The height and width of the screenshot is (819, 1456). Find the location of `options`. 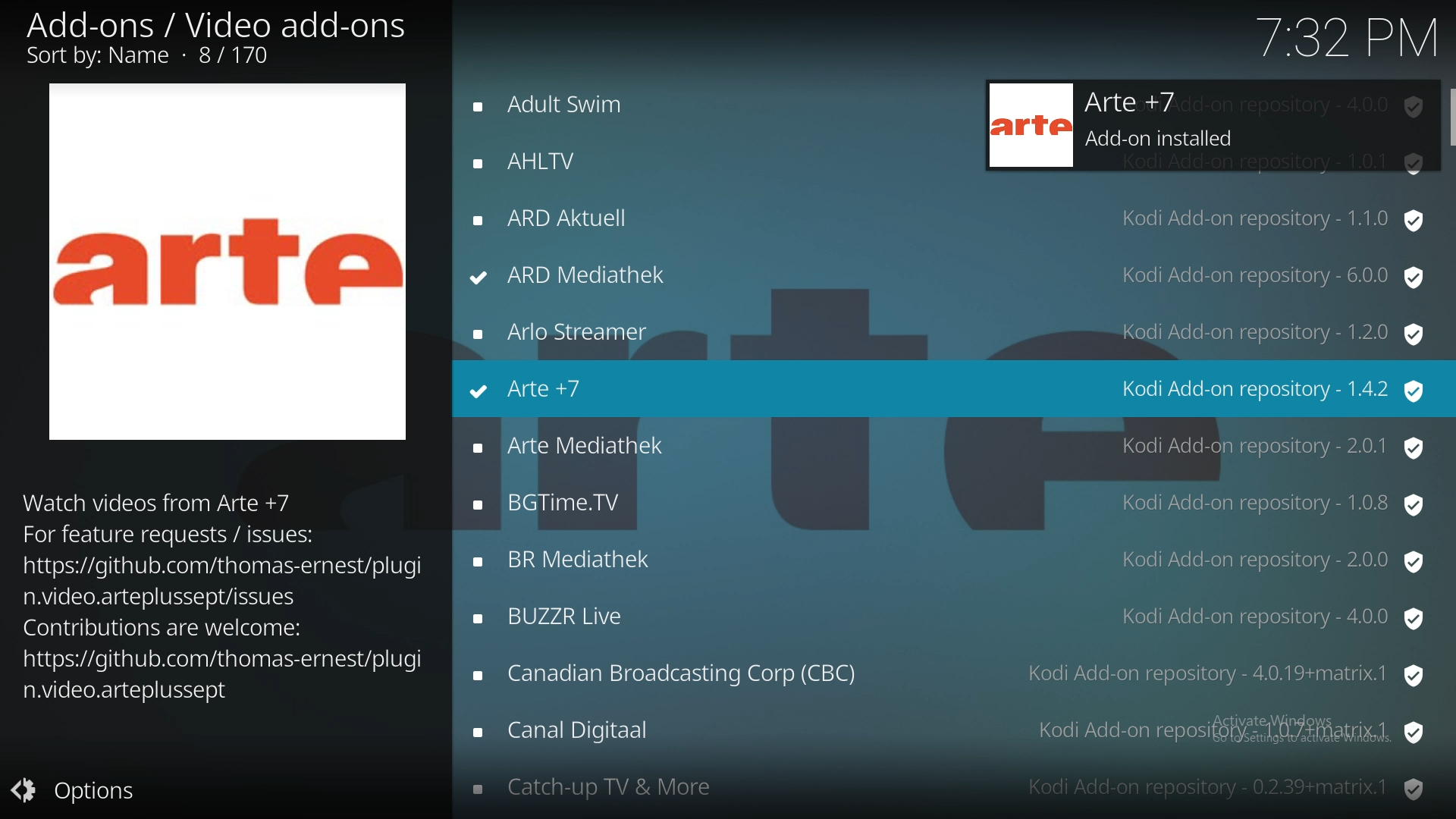

options is located at coordinates (82, 792).